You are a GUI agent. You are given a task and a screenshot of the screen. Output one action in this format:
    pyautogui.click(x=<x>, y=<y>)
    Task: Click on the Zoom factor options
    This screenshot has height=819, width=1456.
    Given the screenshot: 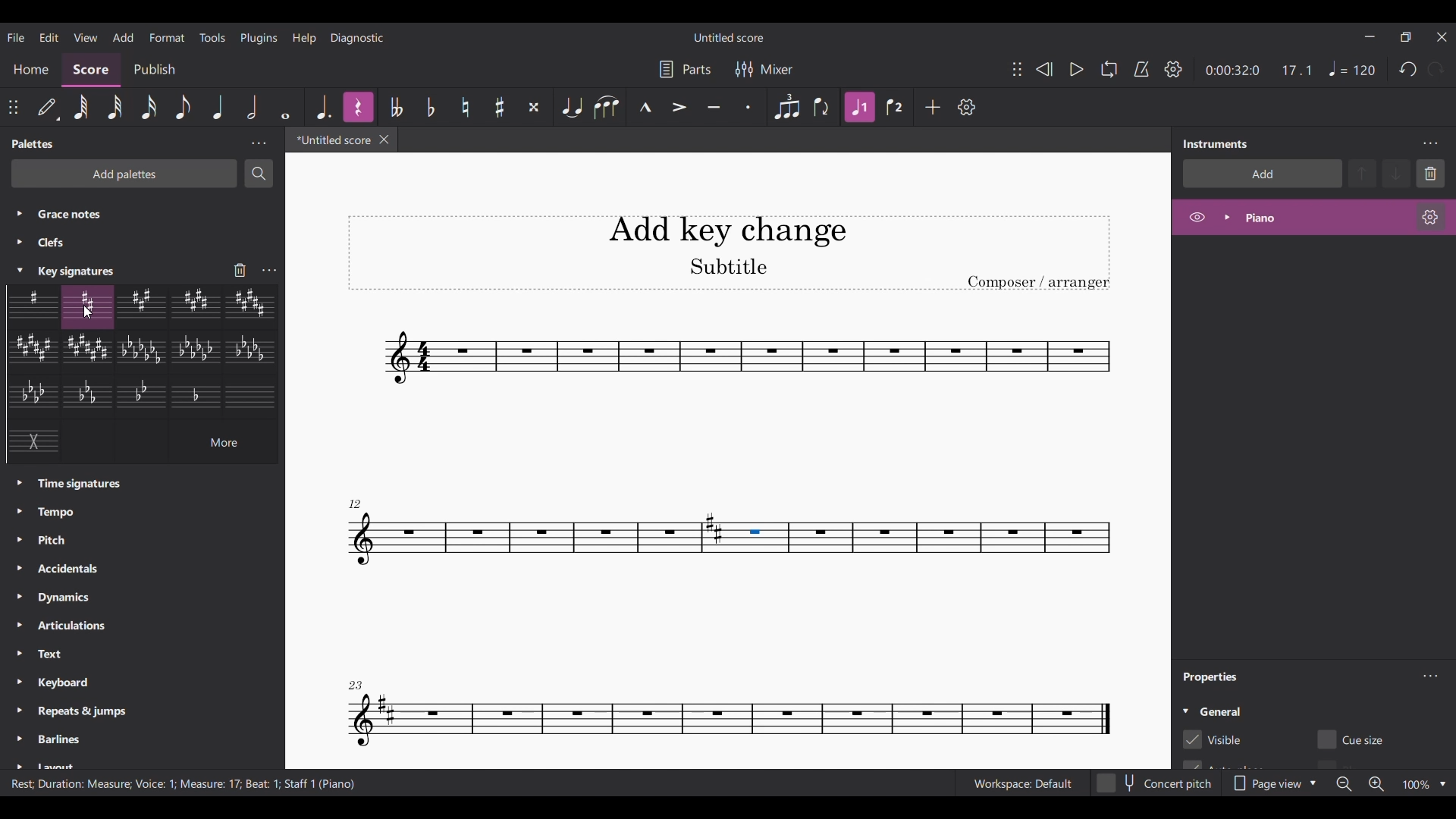 What is the action you would take?
    pyautogui.click(x=1442, y=785)
    